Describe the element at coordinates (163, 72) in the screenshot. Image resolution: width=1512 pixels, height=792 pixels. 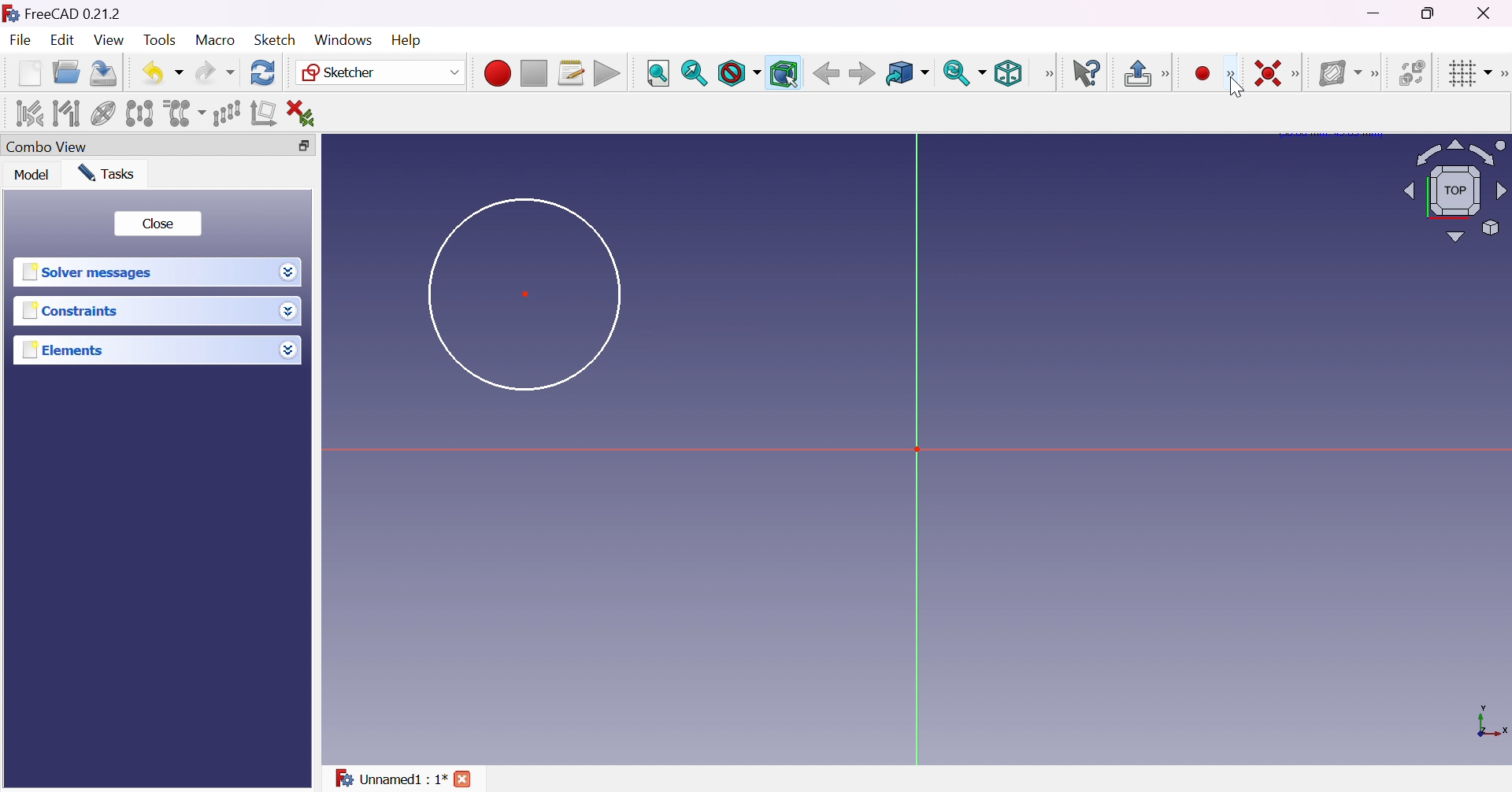
I see `Undo` at that location.